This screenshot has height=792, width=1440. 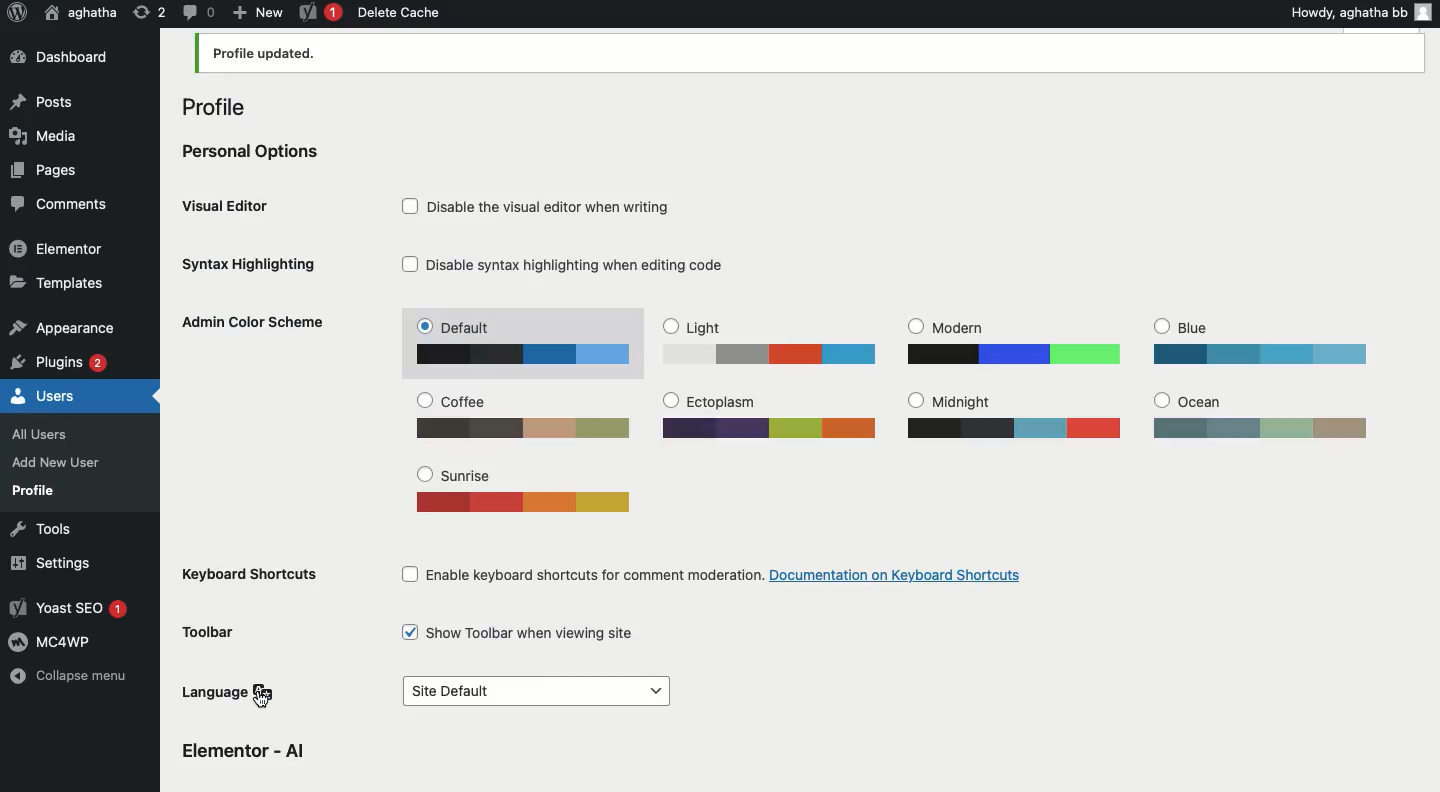 What do you see at coordinates (1013, 341) in the screenshot?
I see `Modern` at bounding box center [1013, 341].